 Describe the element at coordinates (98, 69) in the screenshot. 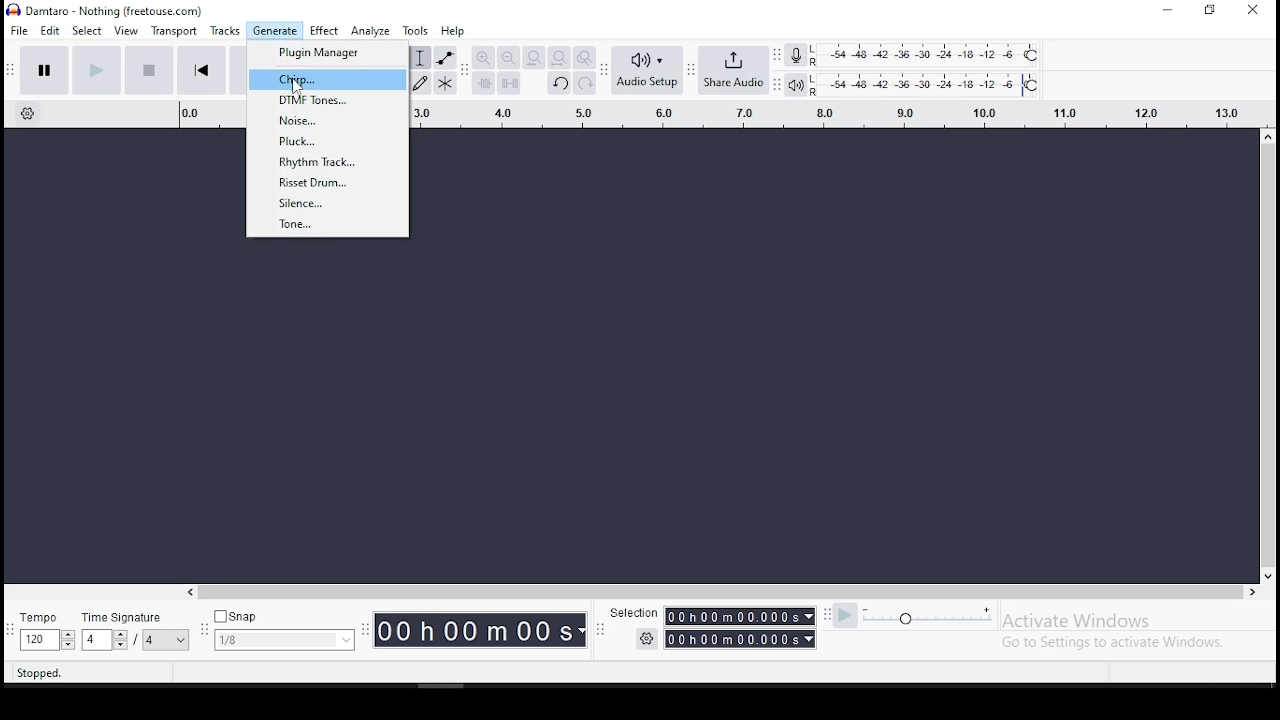

I see `play` at that location.